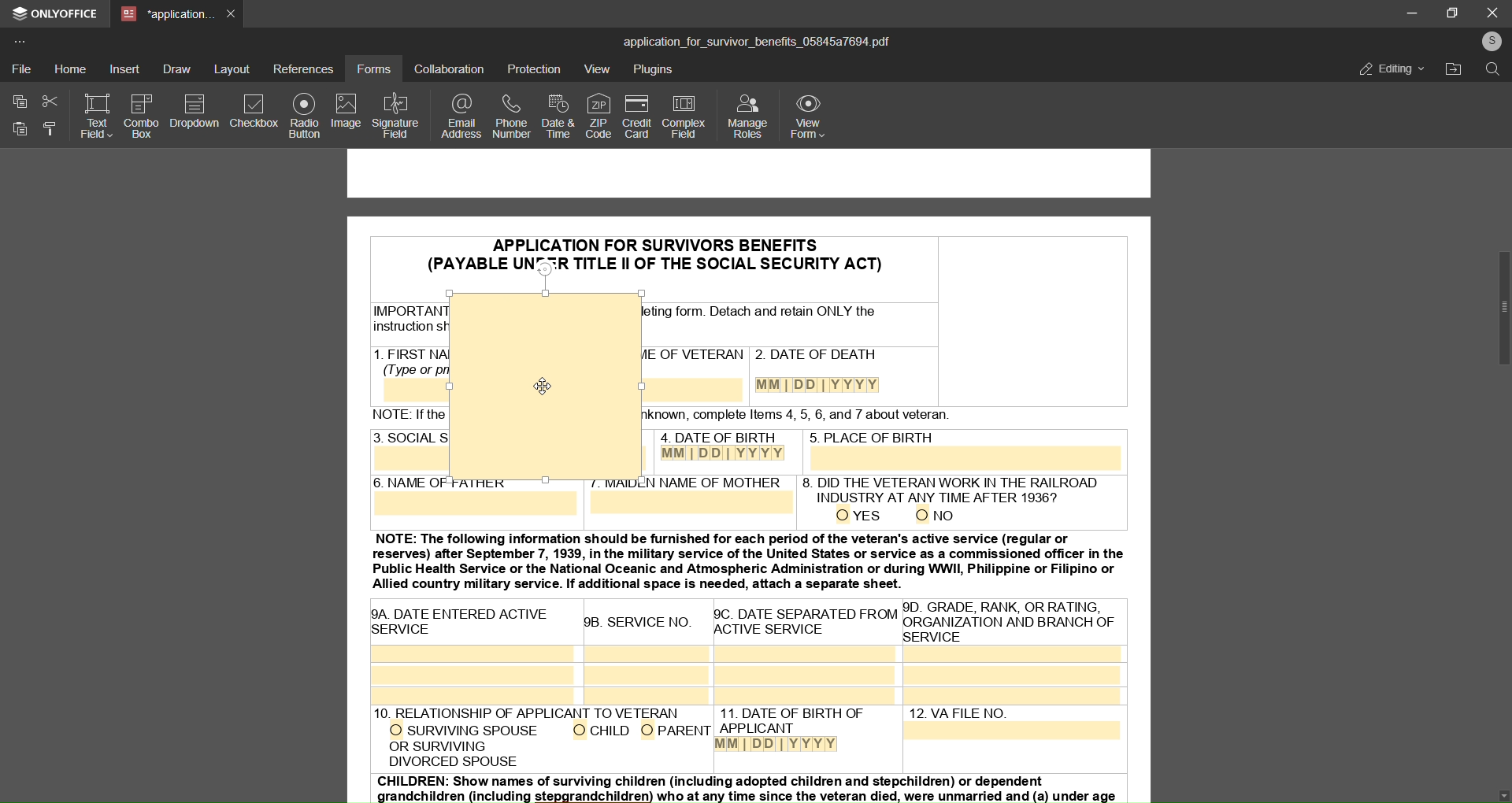 The width and height of the screenshot is (1512, 803). I want to click on plugins, so click(655, 71).